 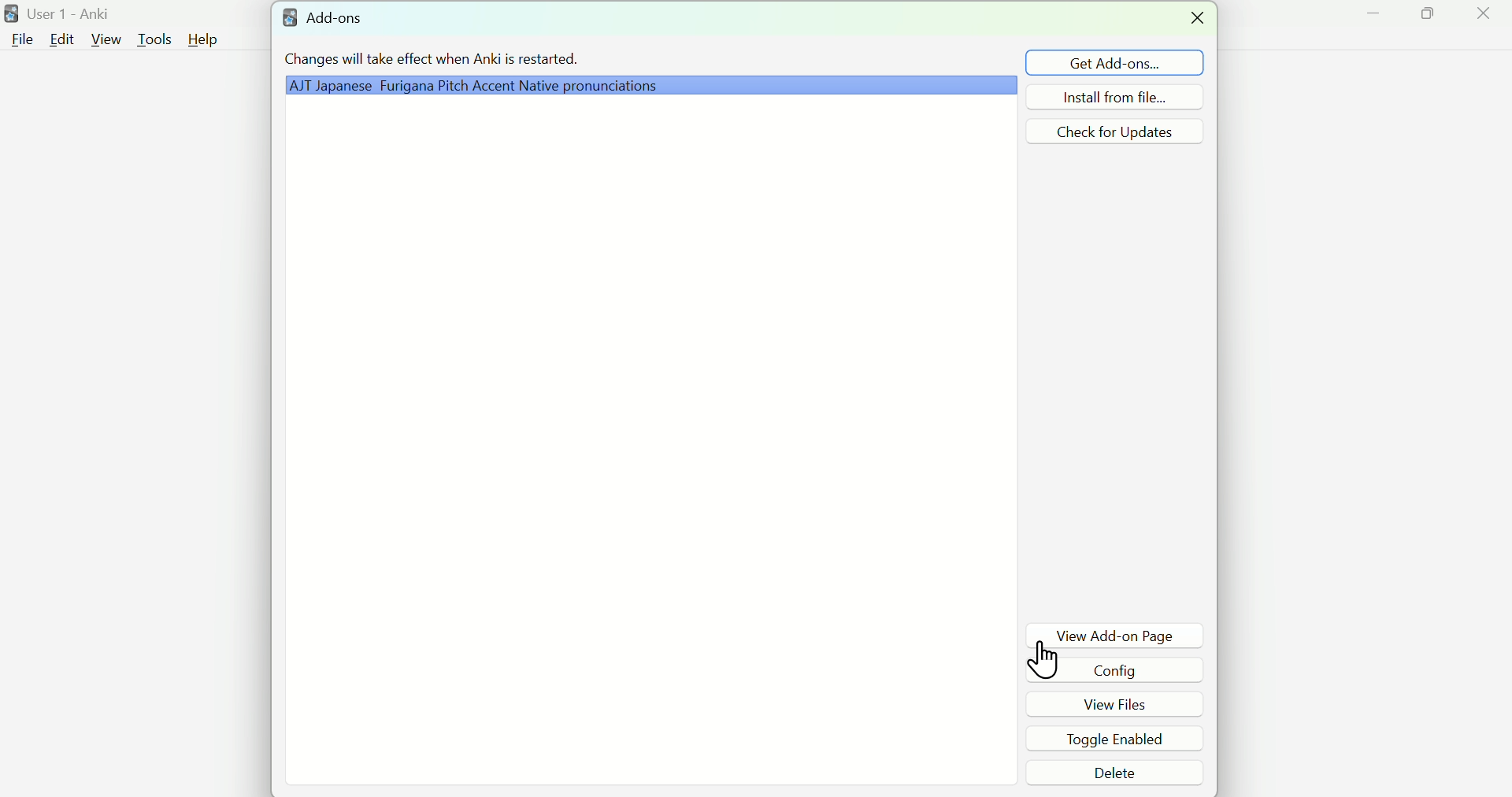 What do you see at coordinates (1114, 673) in the screenshot?
I see `Config` at bounding box center [1114, 673].